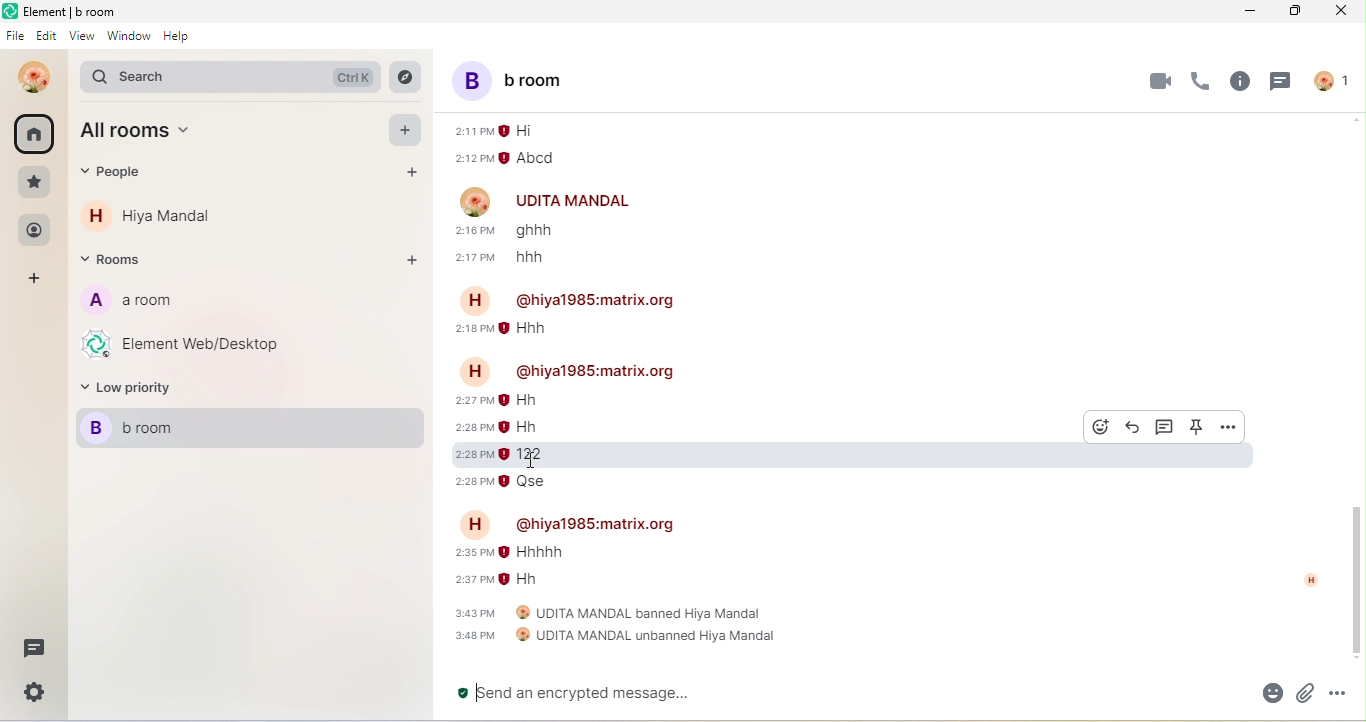 This screenshot has width=1366, height=722. I want to click on reply, so click(1133, 427).